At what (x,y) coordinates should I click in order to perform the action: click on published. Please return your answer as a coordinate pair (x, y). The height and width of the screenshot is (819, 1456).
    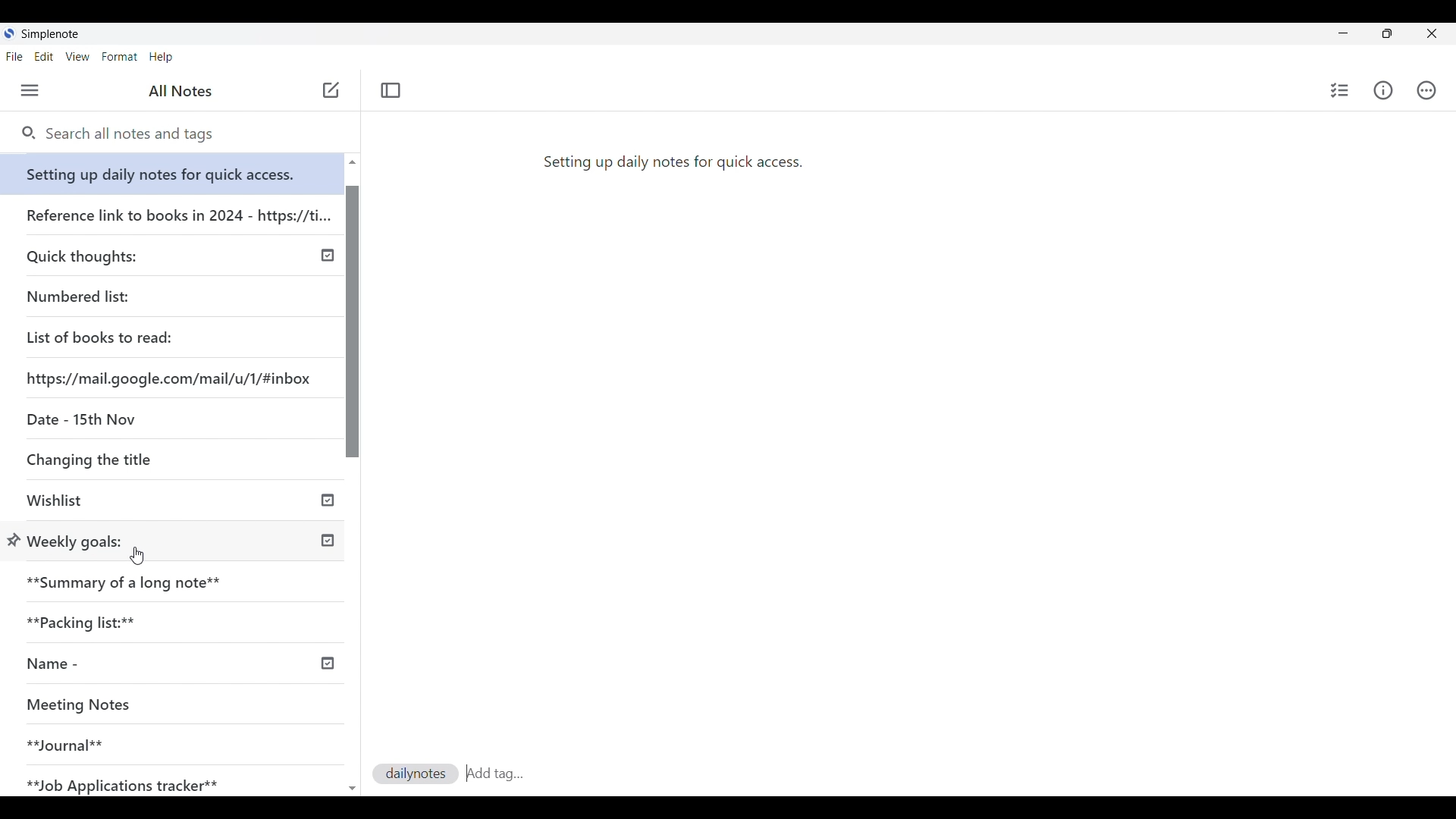
    Looking at the image, I should click on (328, 541).